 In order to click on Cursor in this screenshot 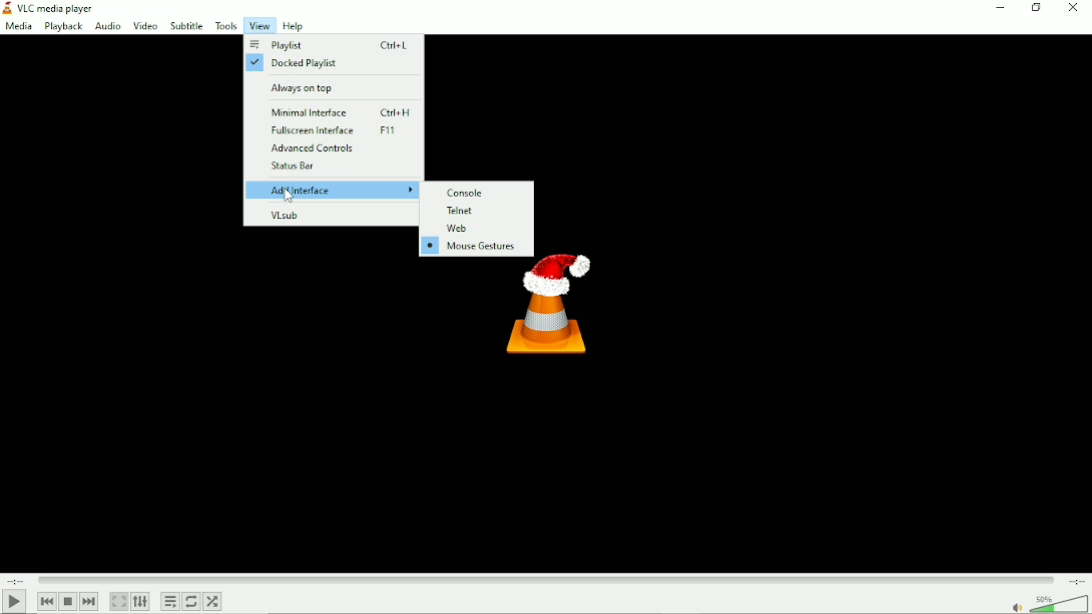, I will do `click(288, 197)`.